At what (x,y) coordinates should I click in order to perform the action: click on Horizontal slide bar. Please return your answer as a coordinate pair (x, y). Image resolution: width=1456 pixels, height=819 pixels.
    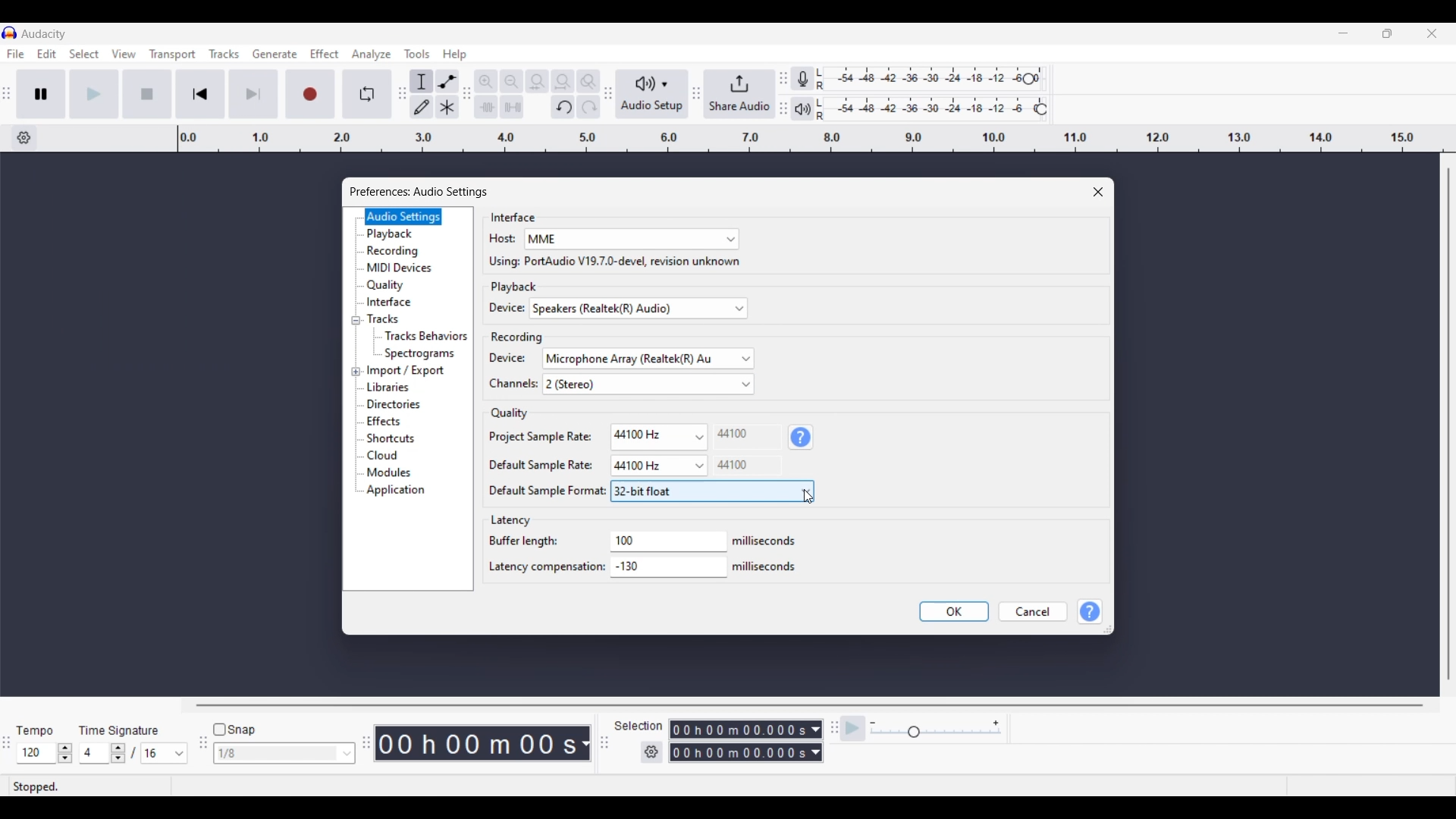
    Looking at the image, I should click on (810, 705).